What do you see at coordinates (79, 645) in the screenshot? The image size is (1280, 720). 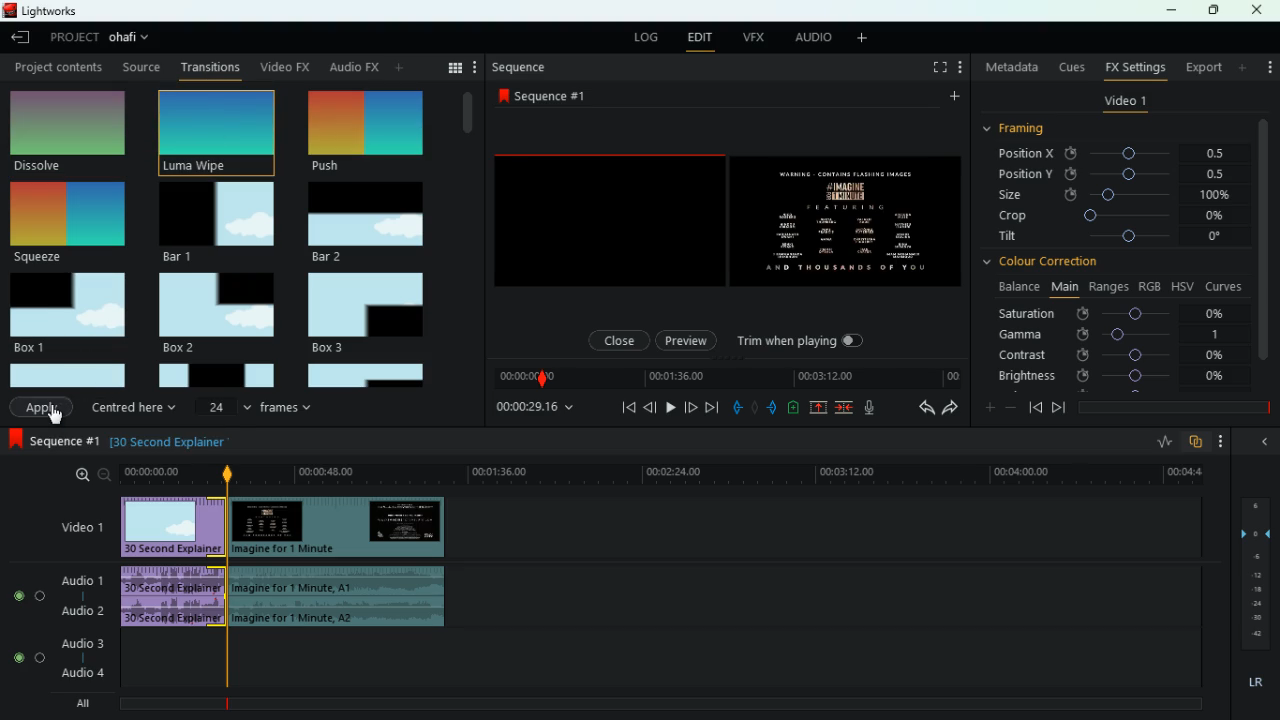 I see `audio 3` at bounding box center [79, 645].